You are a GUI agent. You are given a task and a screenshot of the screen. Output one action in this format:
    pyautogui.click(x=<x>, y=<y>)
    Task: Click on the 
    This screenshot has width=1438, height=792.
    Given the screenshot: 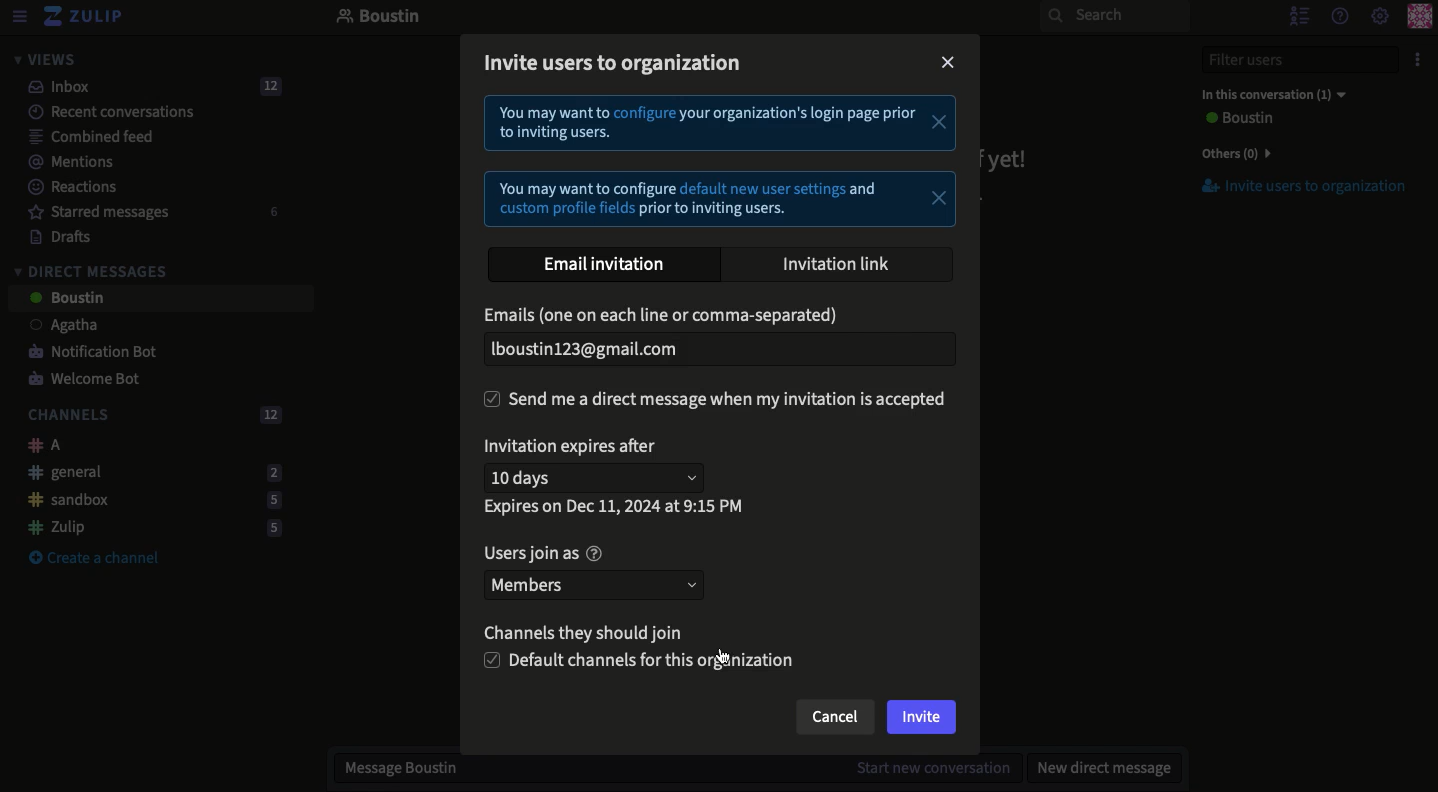 What is the action you would take?
    pyautogui.click(x=946, y=60)
    